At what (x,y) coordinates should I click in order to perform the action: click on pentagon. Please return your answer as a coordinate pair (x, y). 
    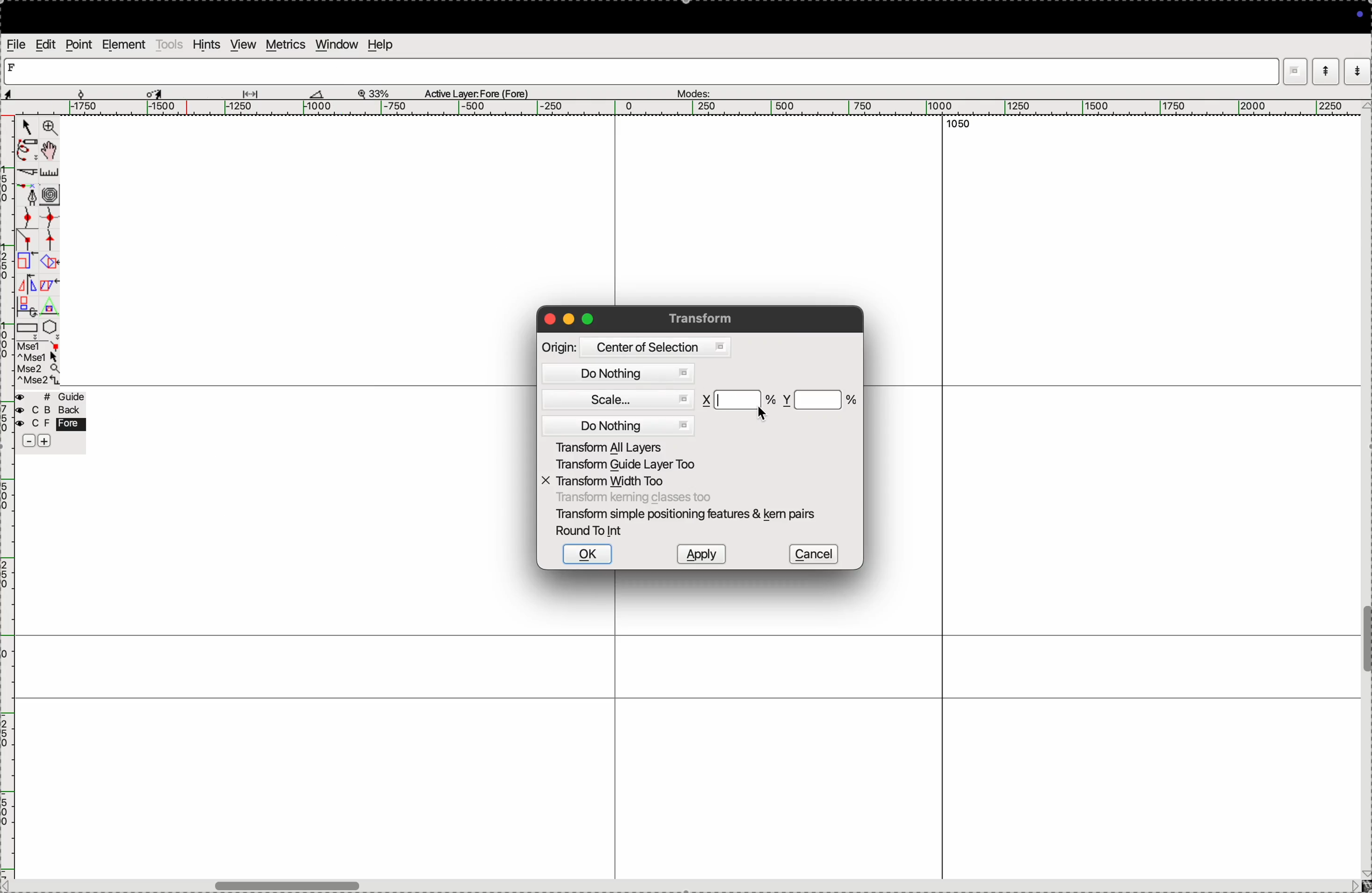
    Looking at the image, I should click on (50, 327).